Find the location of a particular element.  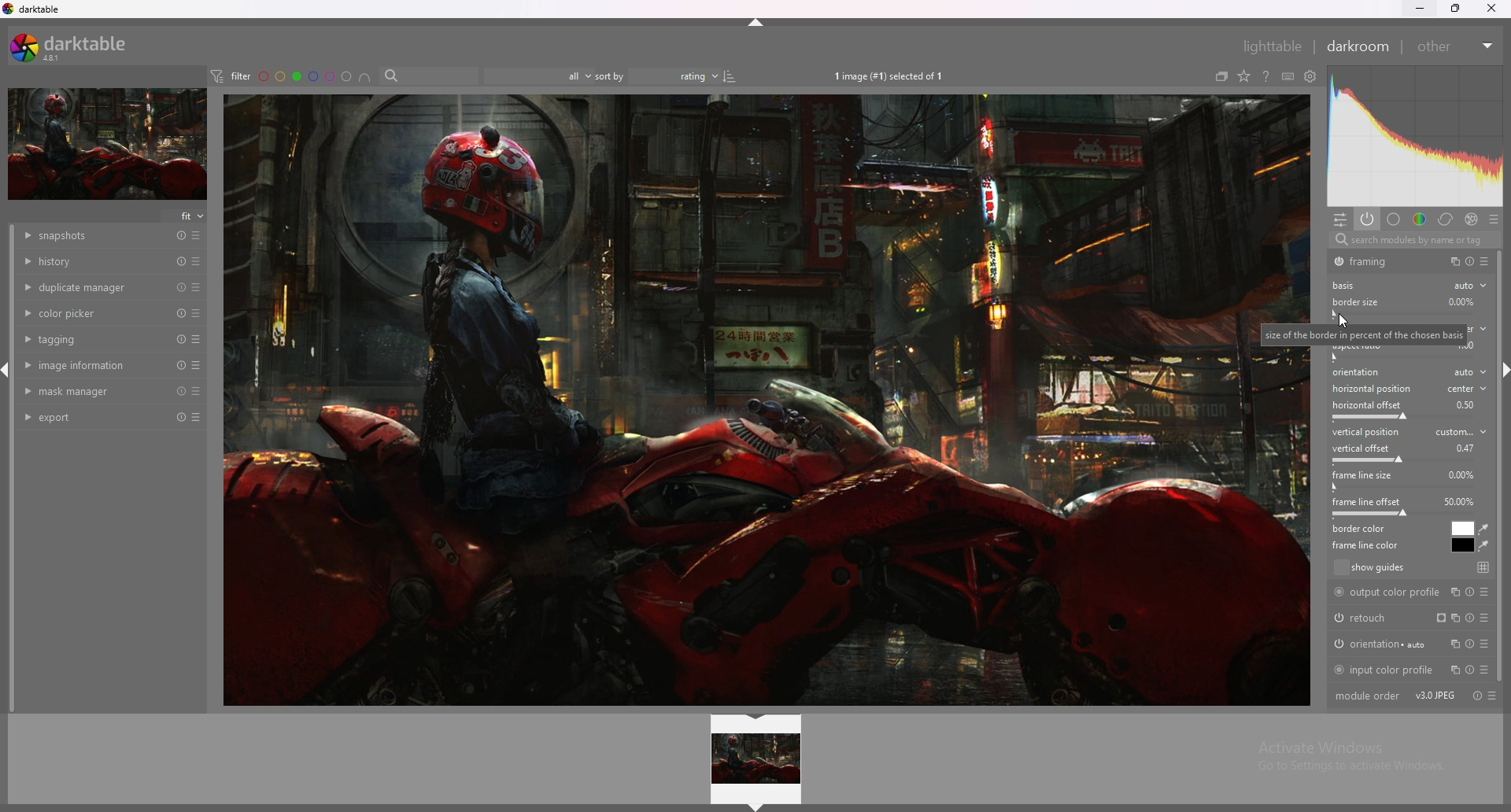

border size is located at coordinates (1355, 301).